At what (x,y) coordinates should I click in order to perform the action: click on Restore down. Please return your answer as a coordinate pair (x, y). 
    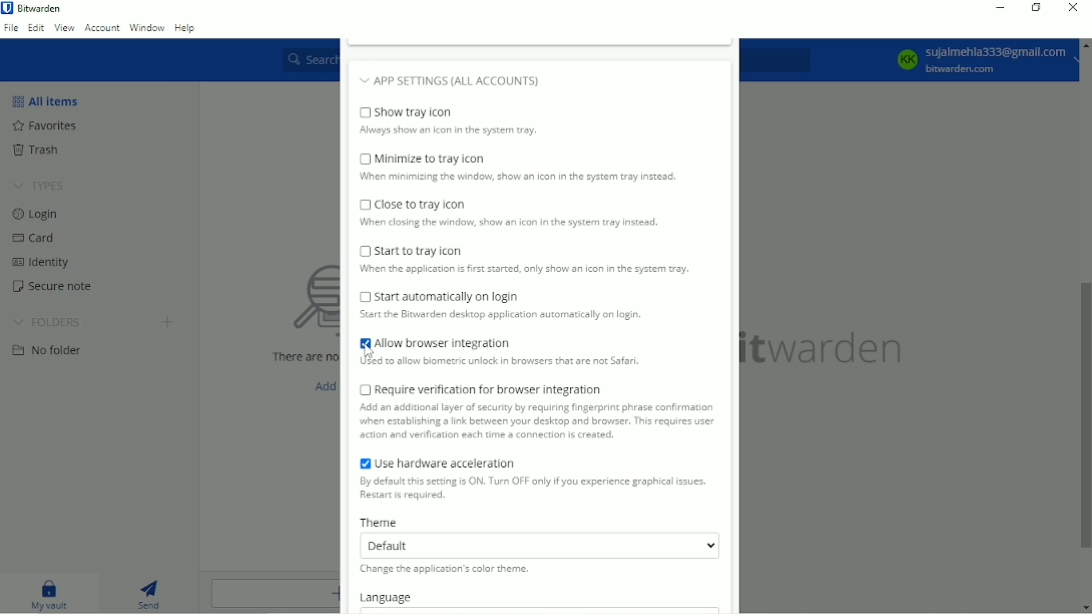
    Looking at the image, I should click on (1038, 9).